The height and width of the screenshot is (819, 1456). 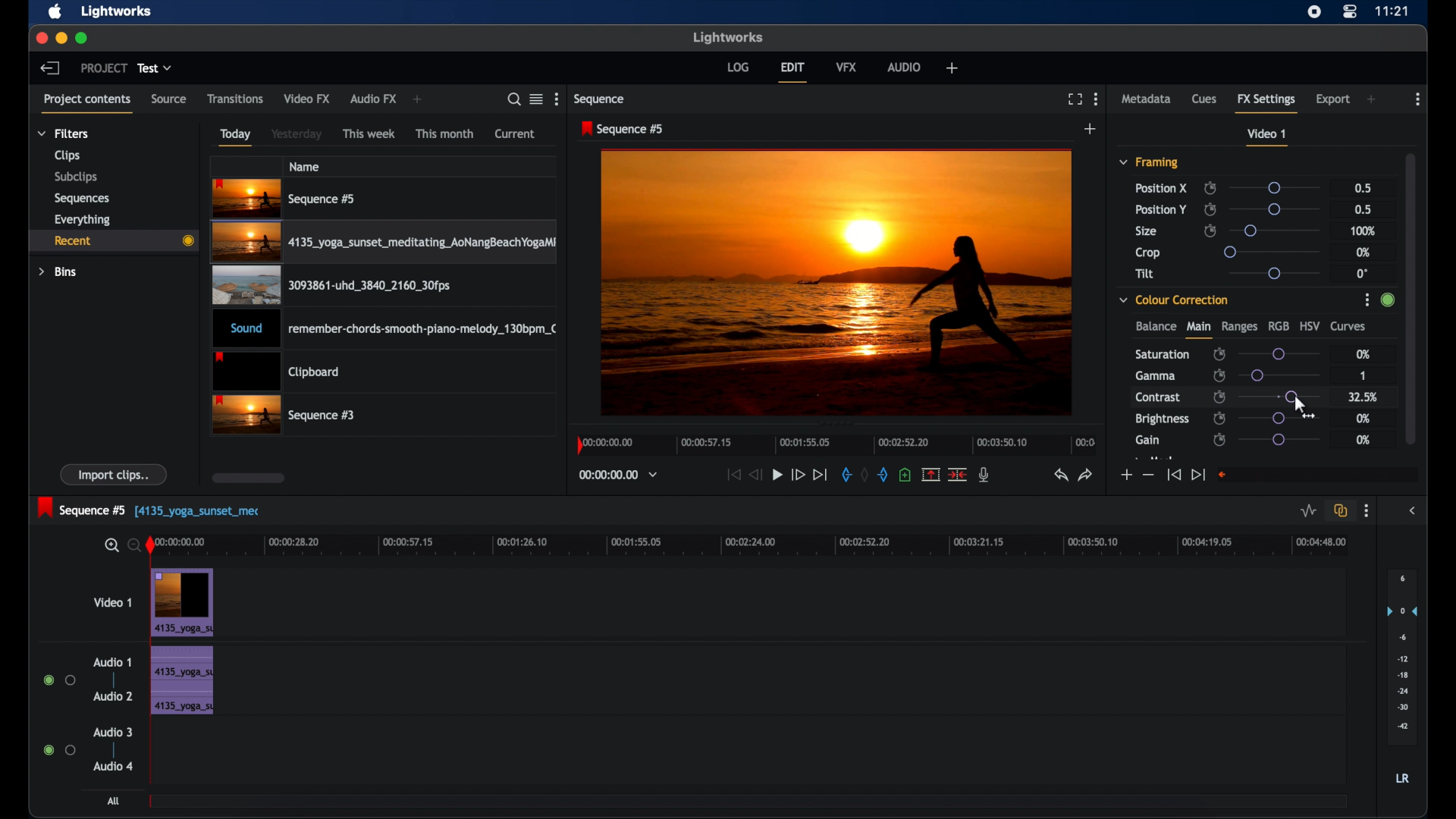 I want to click on name, so click(x=306, y=166).